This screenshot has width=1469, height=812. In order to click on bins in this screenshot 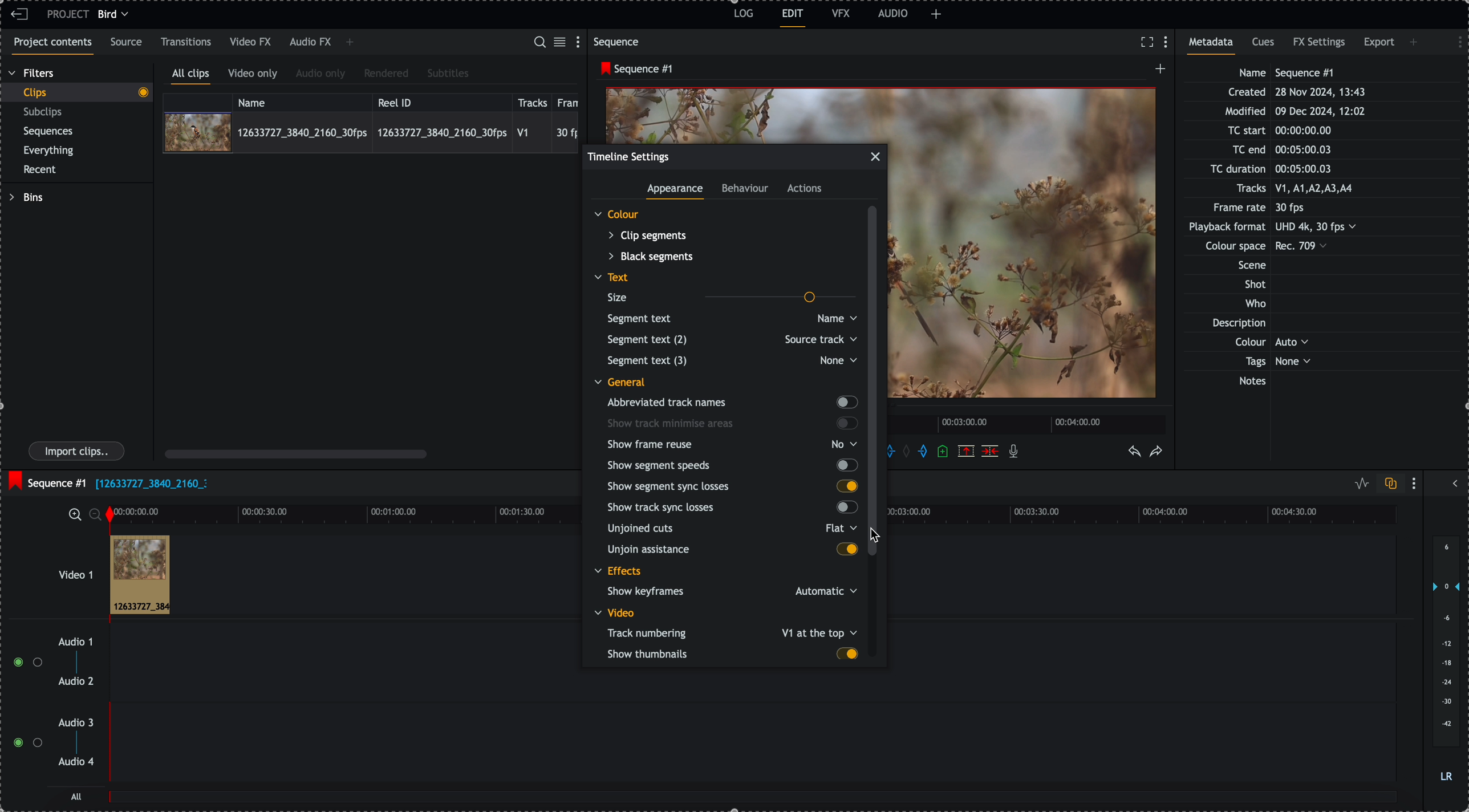, I will do `click(26, 197)`.